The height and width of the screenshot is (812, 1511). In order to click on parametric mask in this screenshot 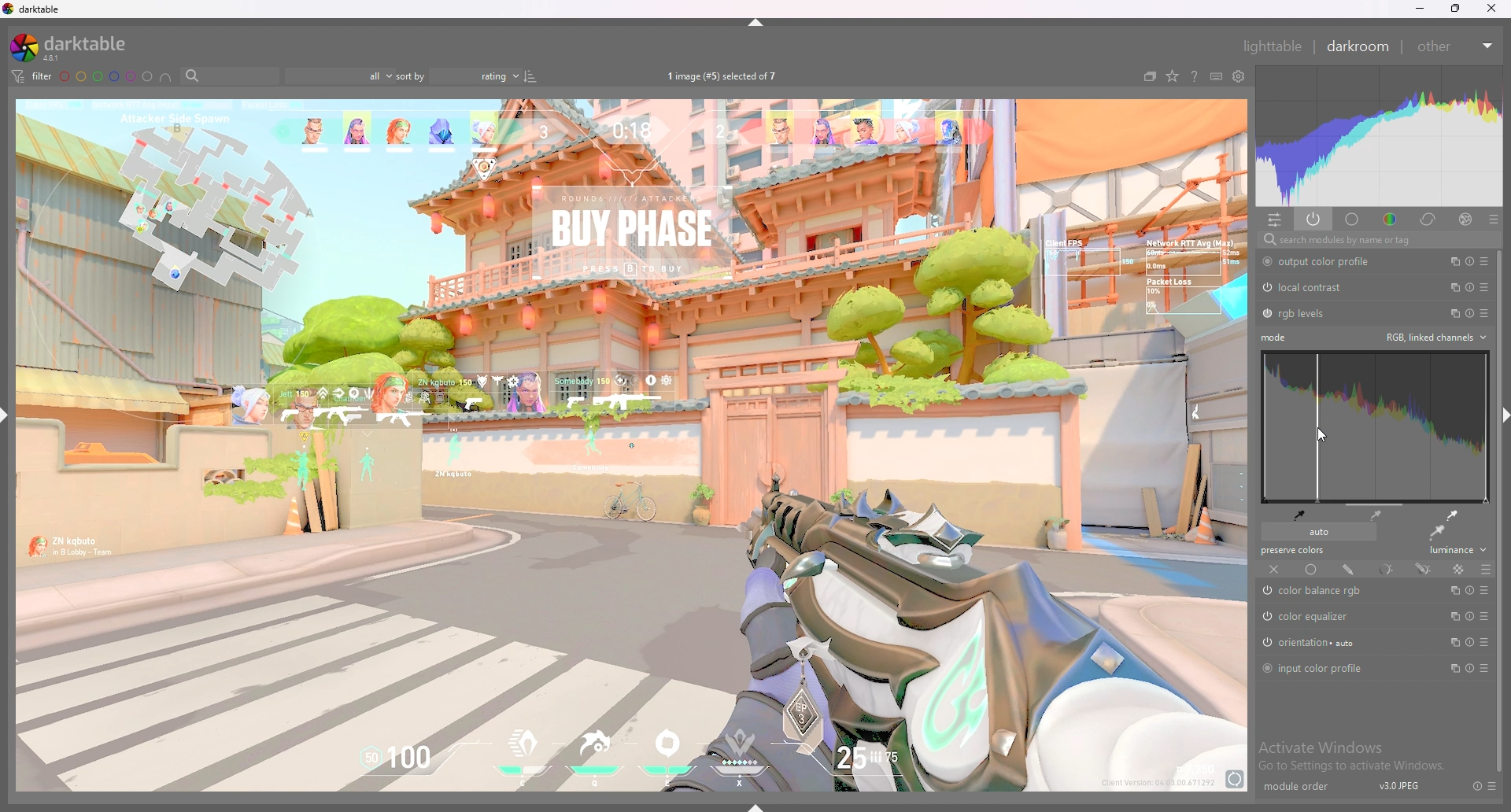, I will do `click(1385, 569)`.